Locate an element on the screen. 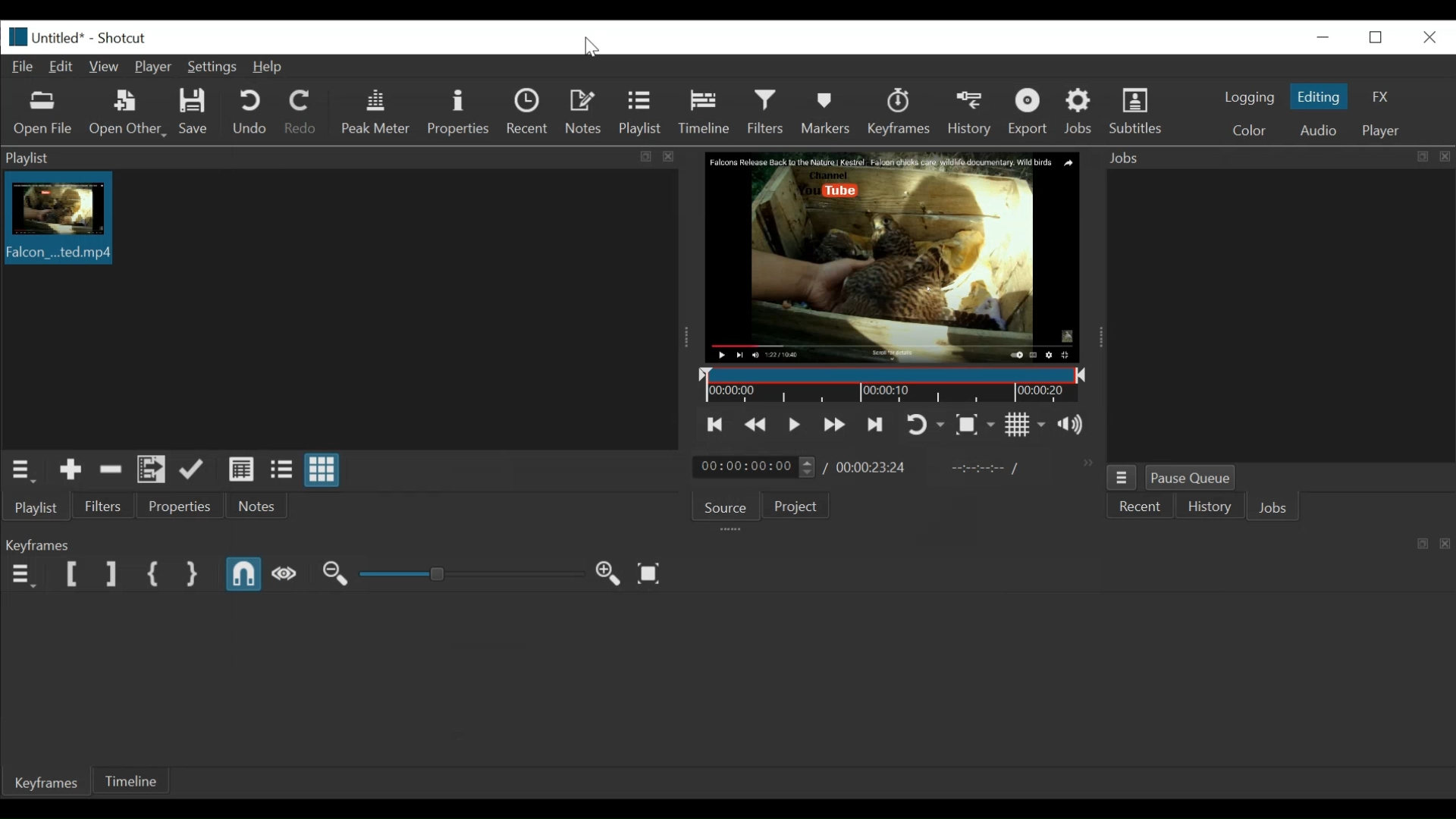  Playlist menu is located at coordinates (20, 469).